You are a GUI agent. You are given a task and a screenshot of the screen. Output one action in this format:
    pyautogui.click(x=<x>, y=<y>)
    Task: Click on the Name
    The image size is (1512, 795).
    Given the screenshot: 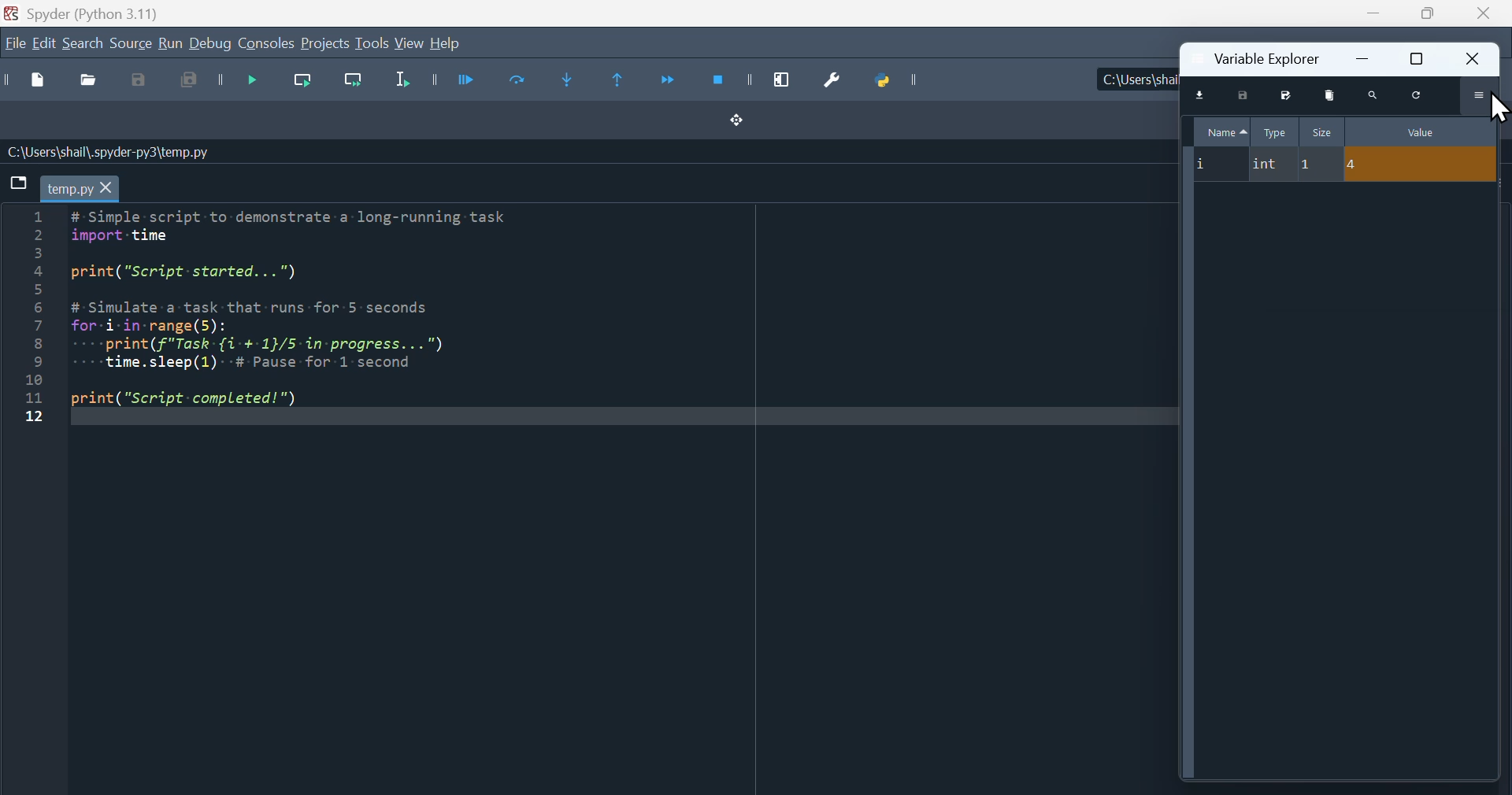 What is the action you would take?
    pyautogui.click(x=1224, y=130)
    